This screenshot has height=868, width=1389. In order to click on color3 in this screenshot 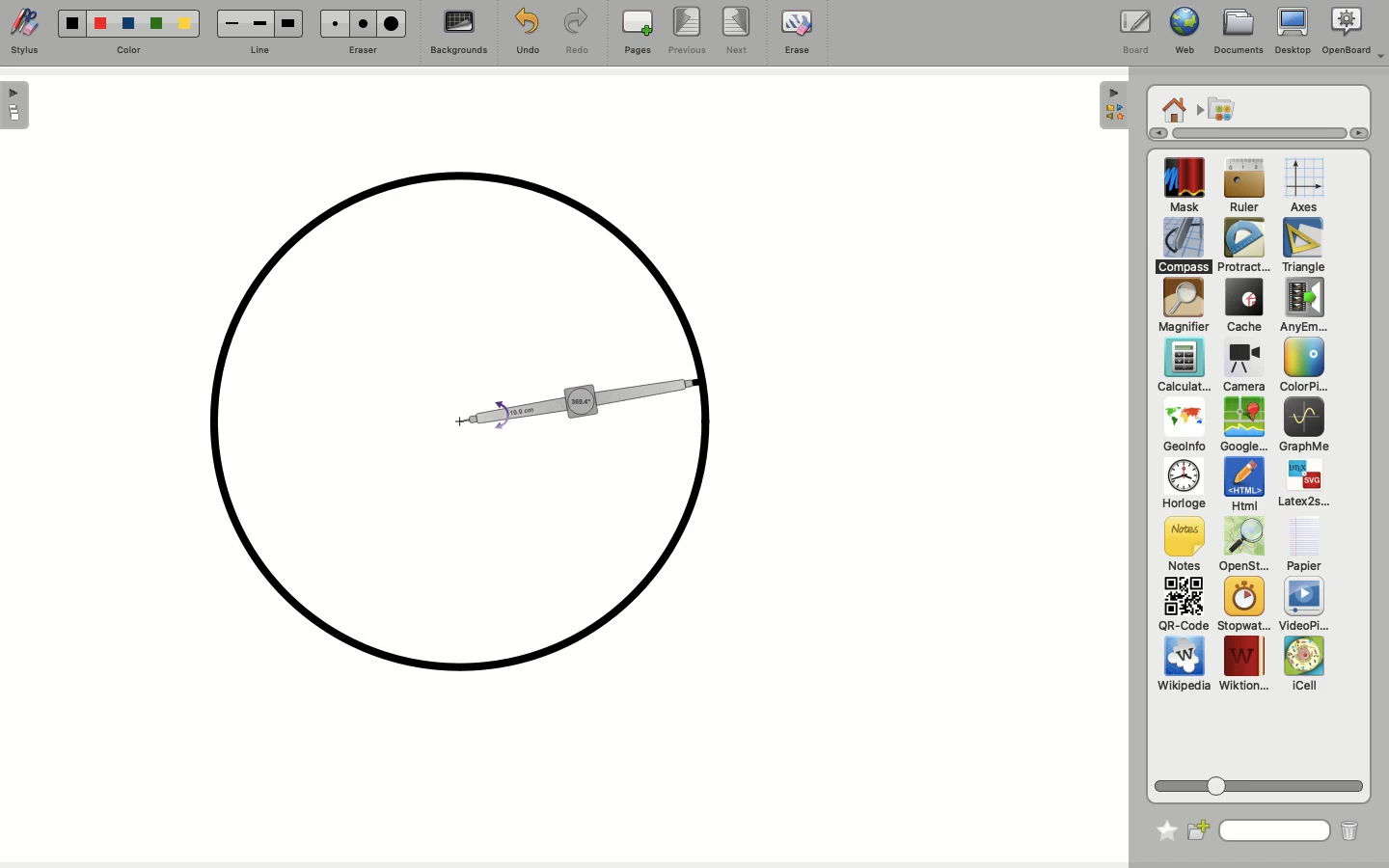, I will do `click(127, 24)`.